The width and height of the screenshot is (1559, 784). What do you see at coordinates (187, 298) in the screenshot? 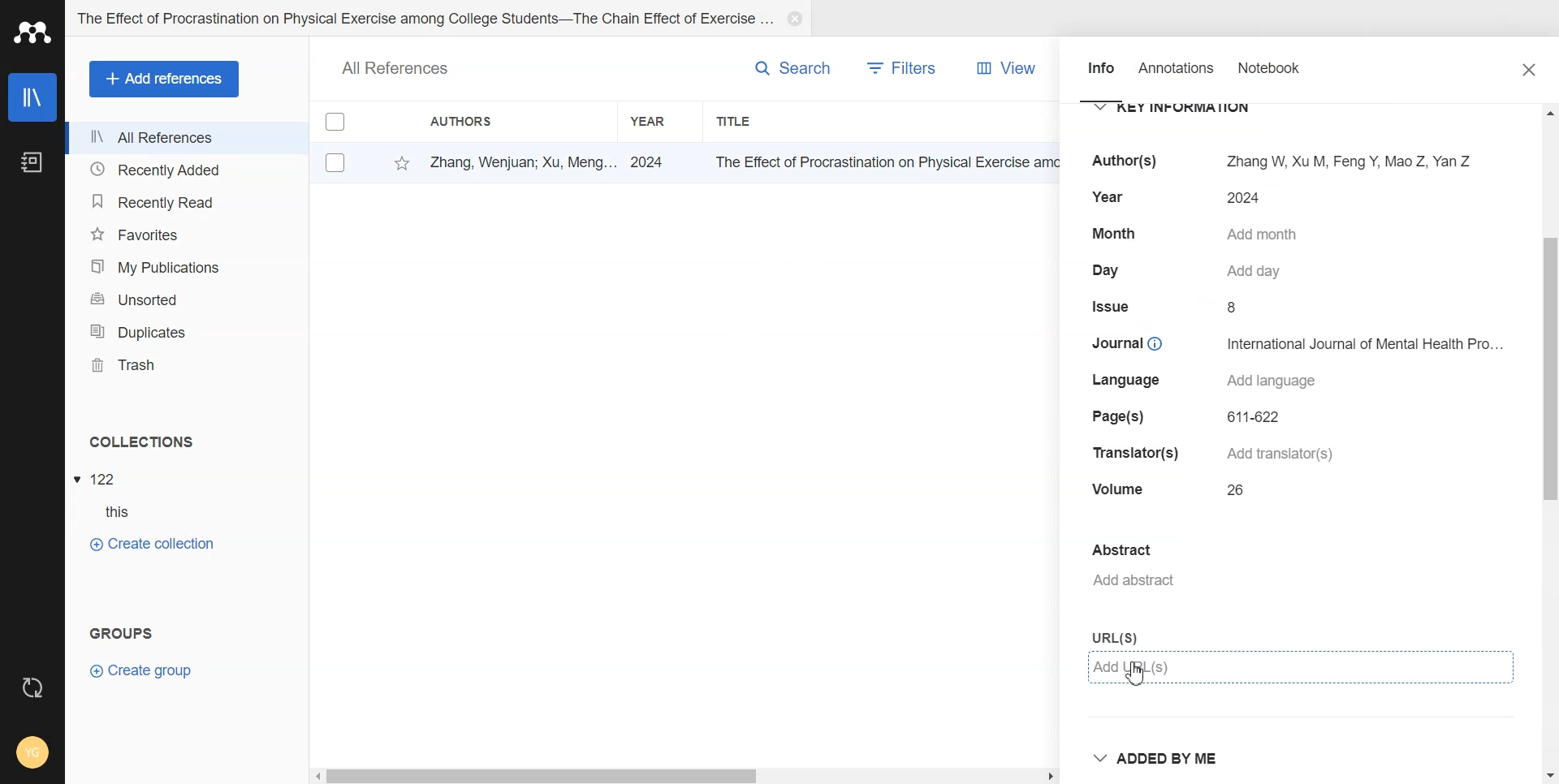
I see `Unsorted` at bounding box center [187, 298].